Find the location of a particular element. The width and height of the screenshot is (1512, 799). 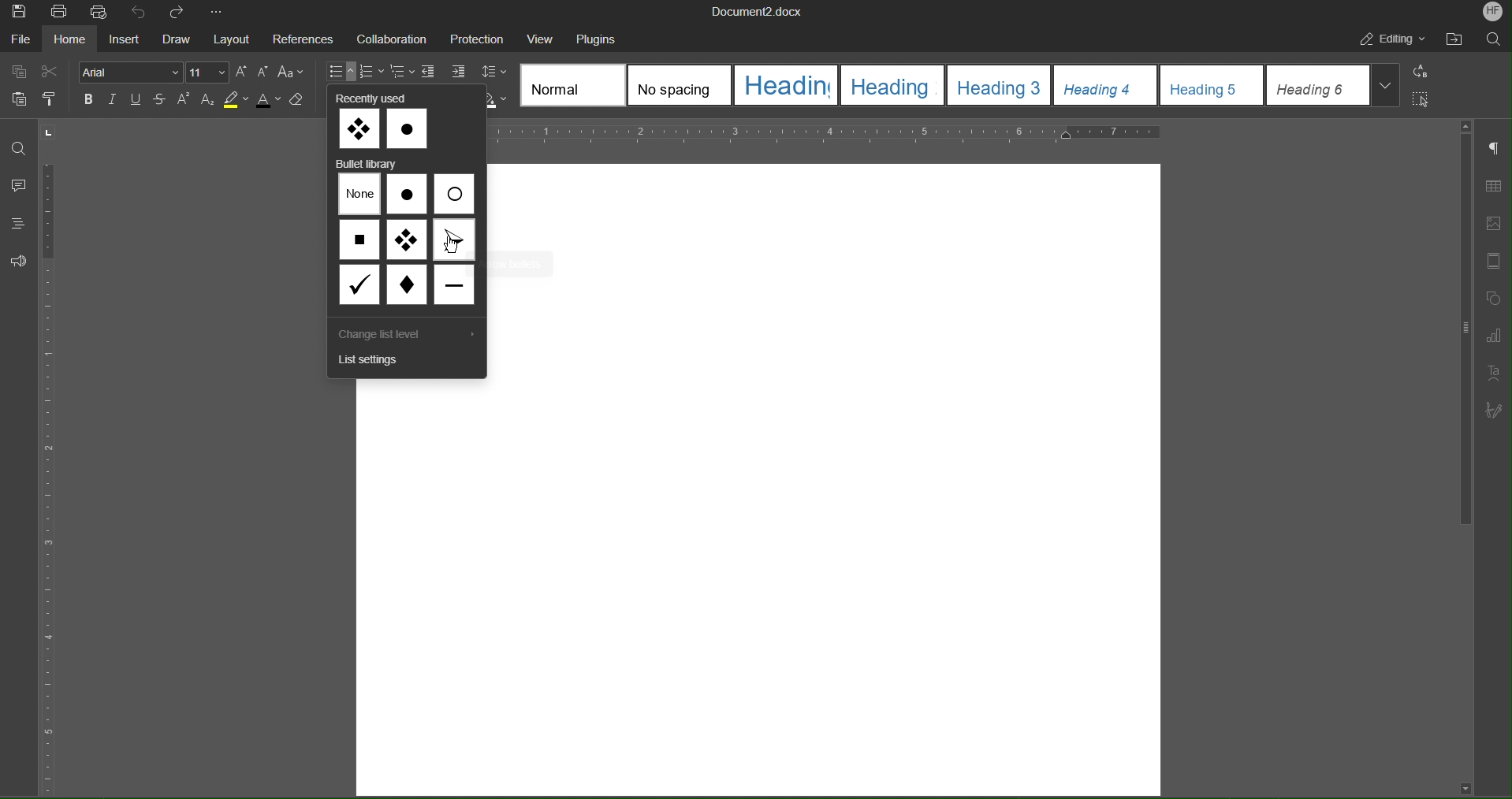

Erase Style is located at coordinates (301, 100).